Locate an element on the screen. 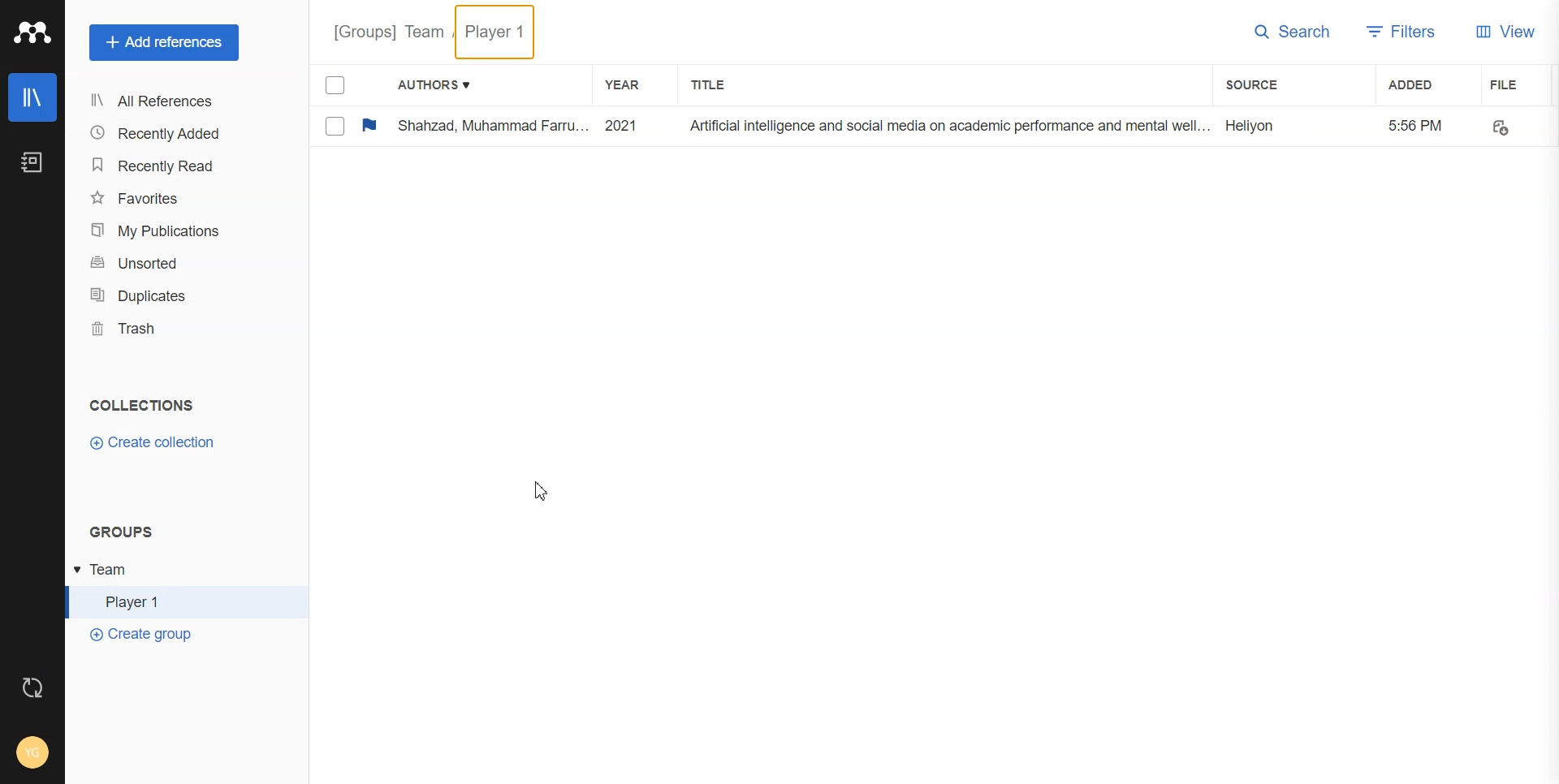 The width and height of the screenshot is (1559, 784). Recently Added is located at coordinates (164, 134).